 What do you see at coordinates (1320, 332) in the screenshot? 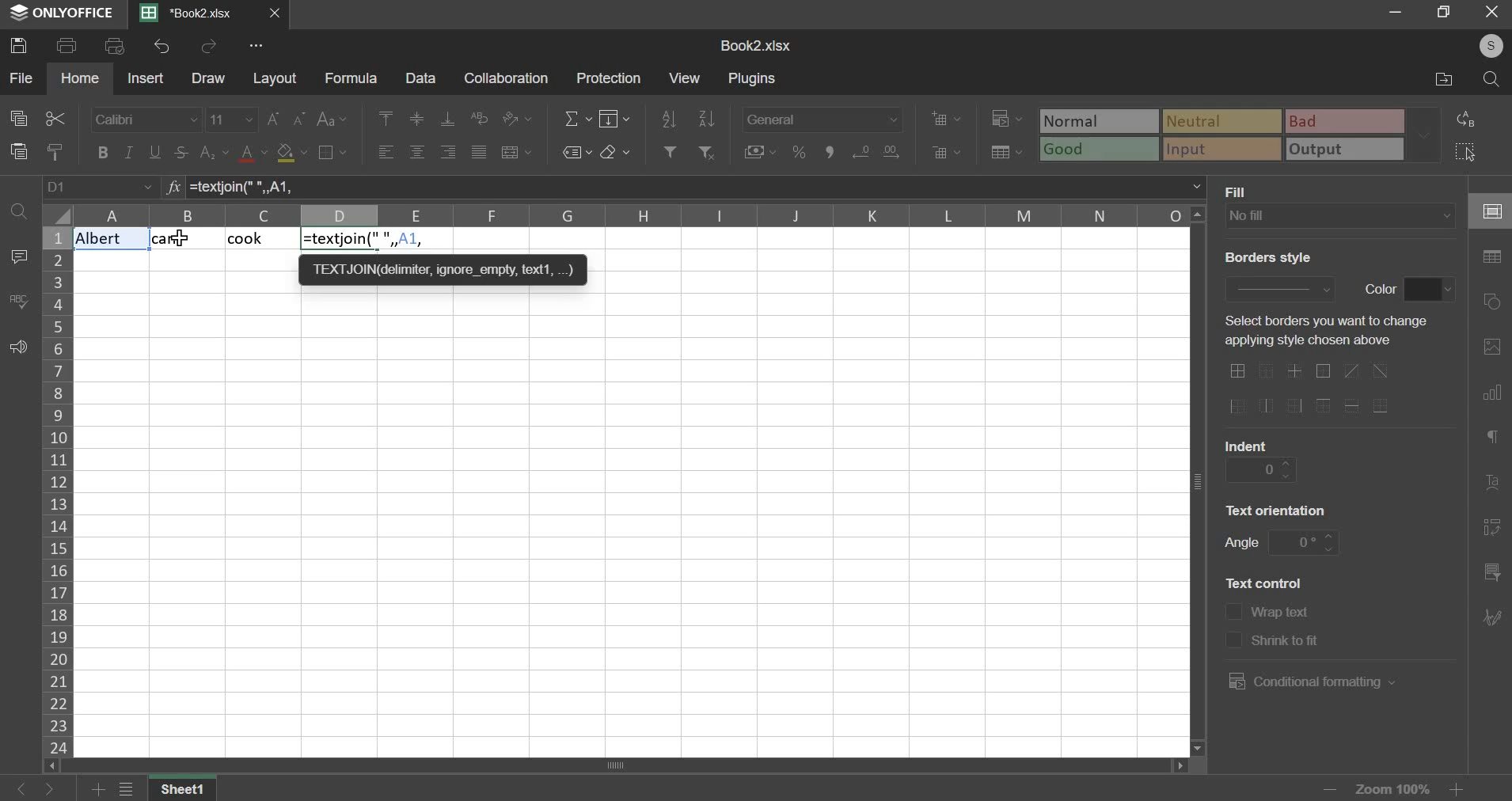
I see `text` at bounding box center [1320, 332].